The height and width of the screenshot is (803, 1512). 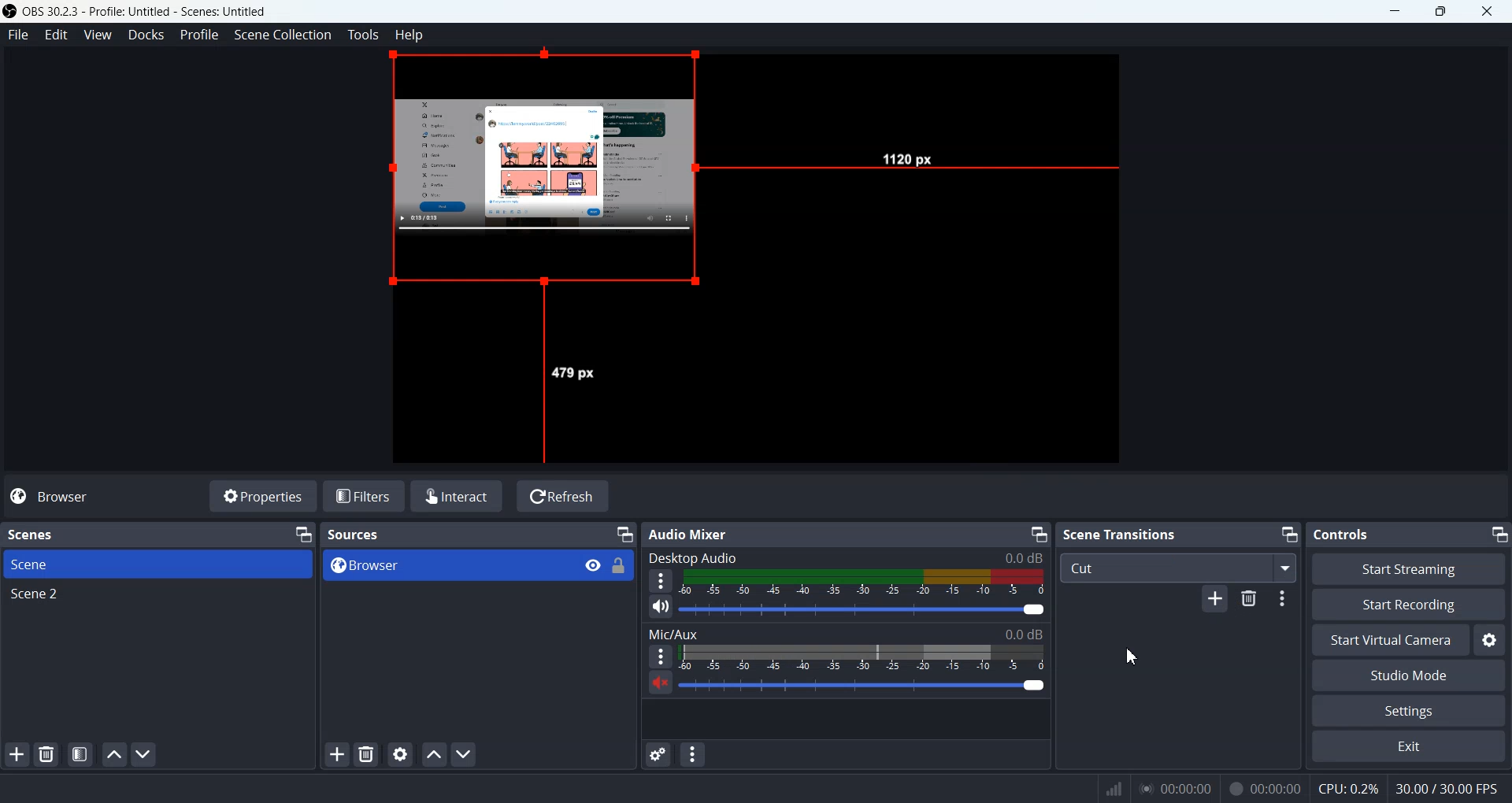 I want to click on Minimize, so click(x=1039, y=534).